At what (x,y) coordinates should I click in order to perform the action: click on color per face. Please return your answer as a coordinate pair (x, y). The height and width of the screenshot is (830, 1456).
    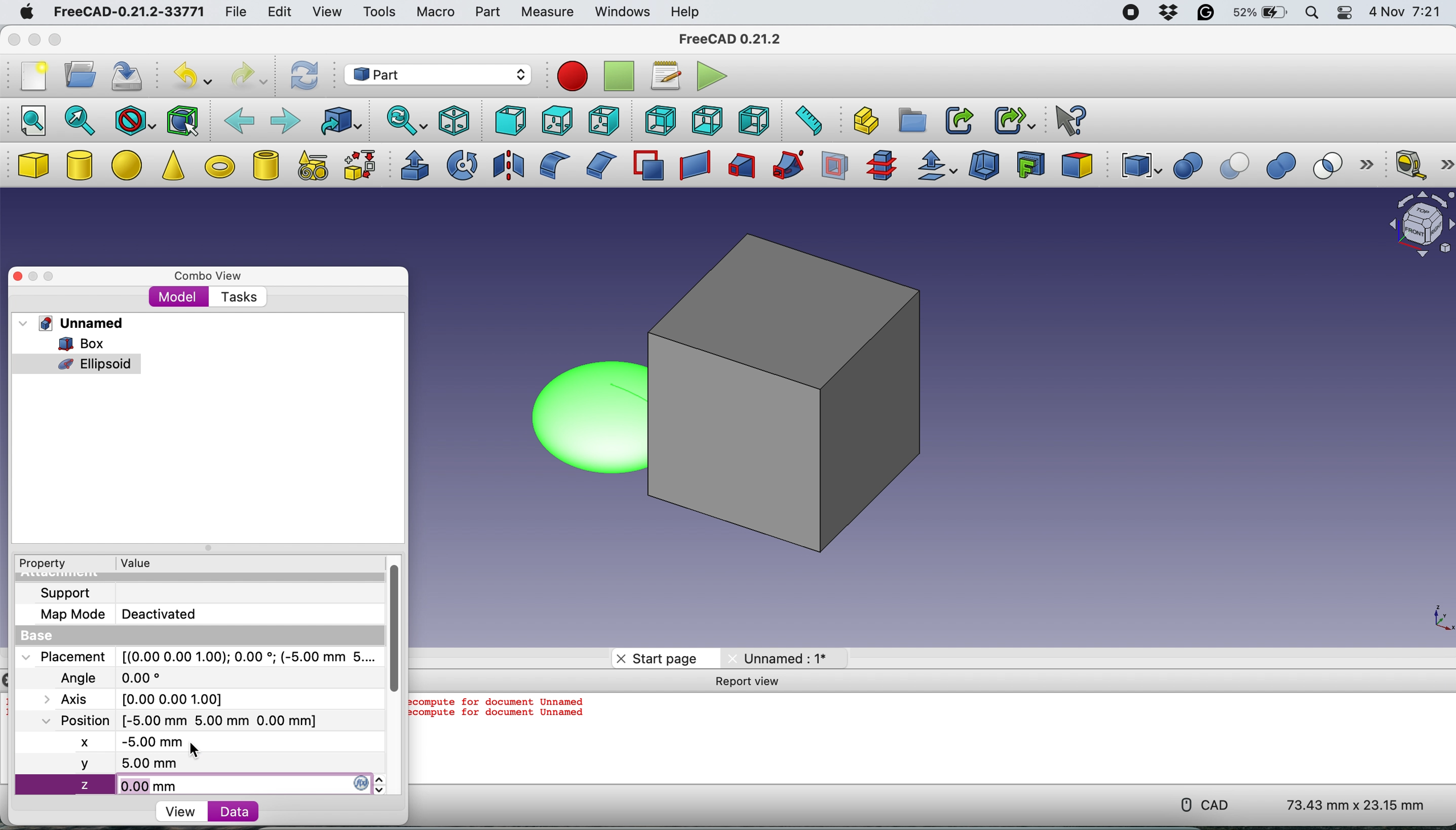
    Looking at the image, I should click on (1078, 164).